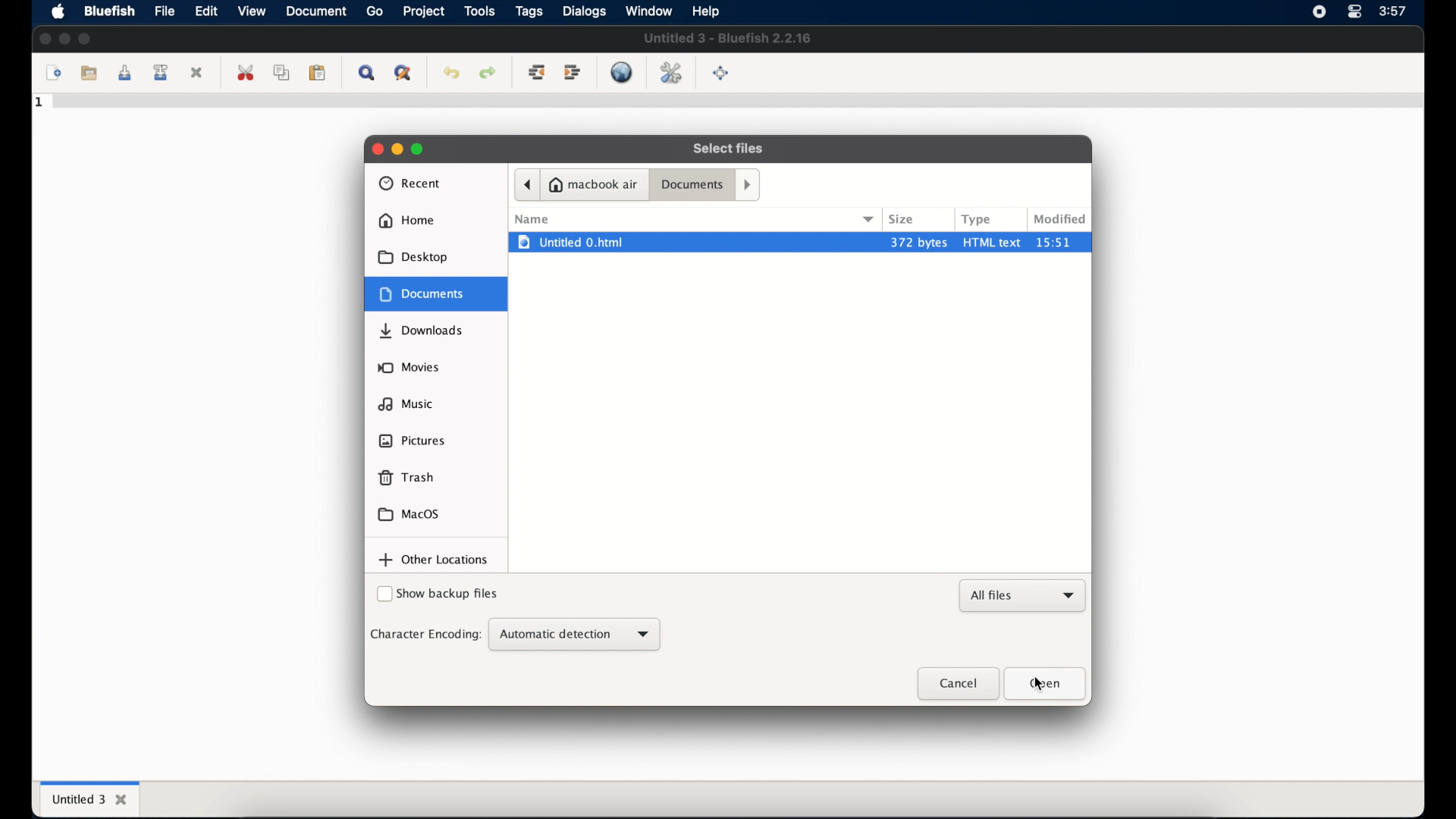  I want to click on save current file, so click(124, 74).